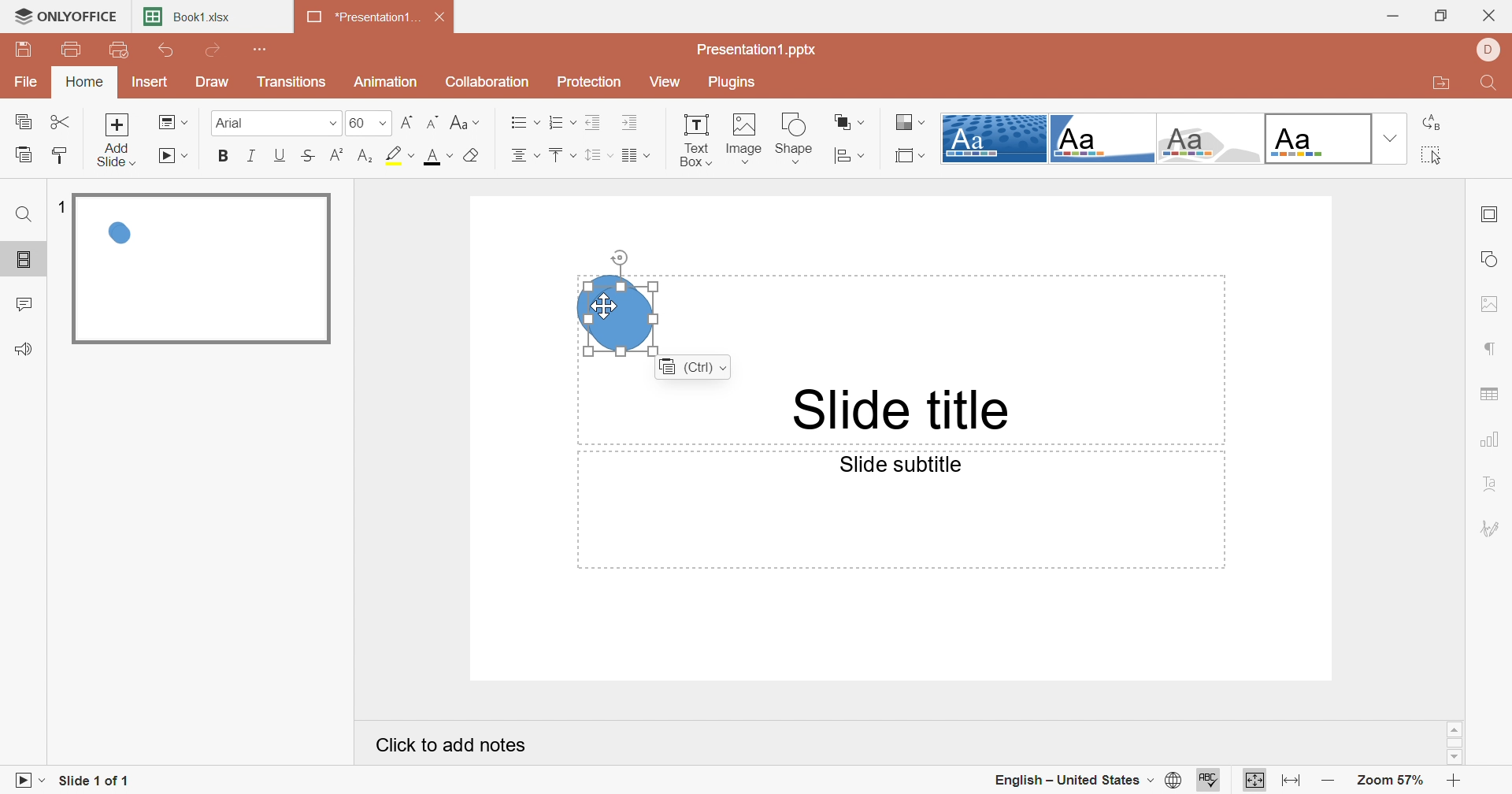 Image resolution: width=1512 pixels, height=794 pixels. What do you see at coordinates (1210, 781) in the screenshot?
I see `Spell checking` at bounding box center [1210, 781].